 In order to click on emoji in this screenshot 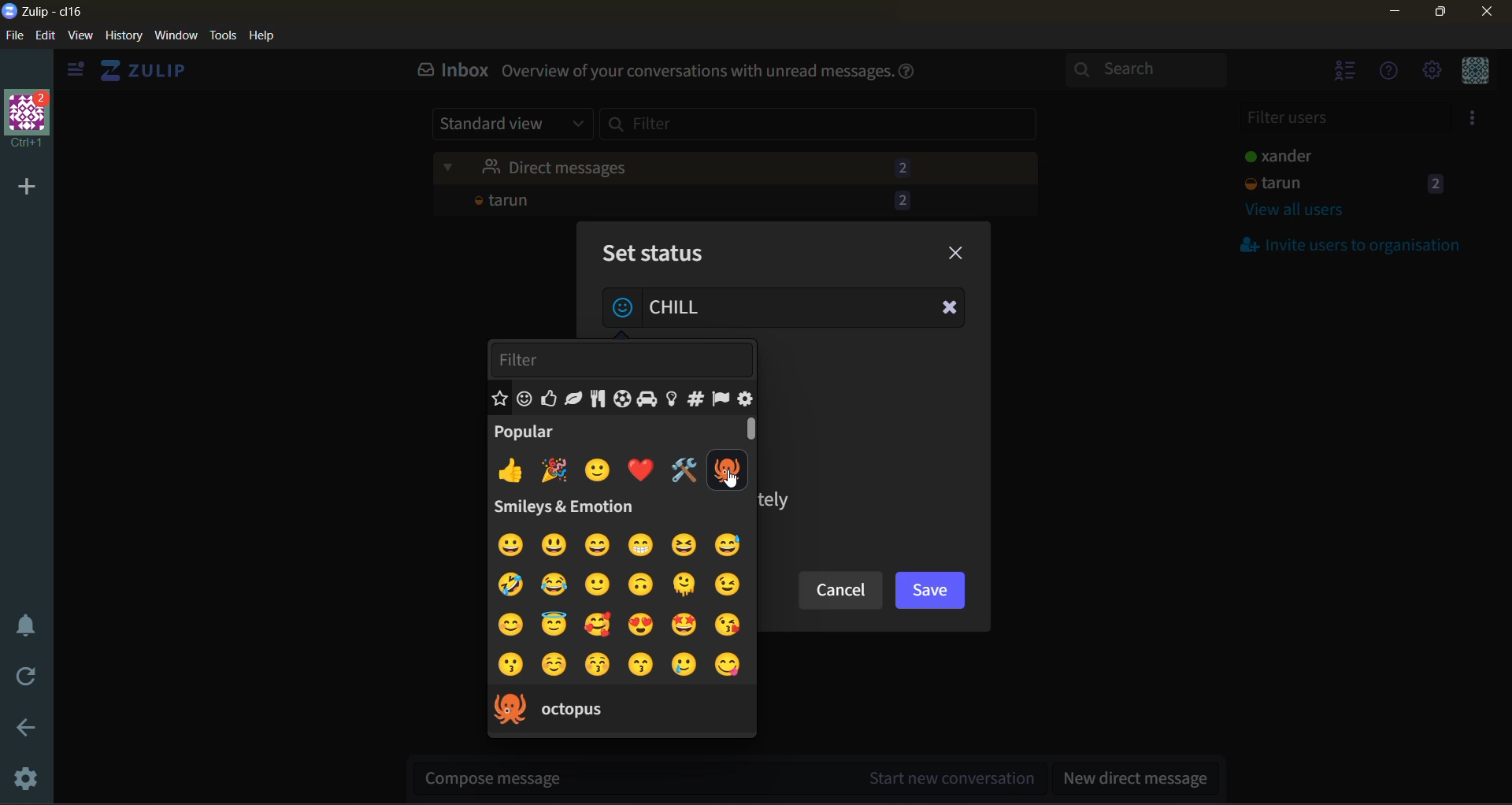, I will do `click(641, 584)`.